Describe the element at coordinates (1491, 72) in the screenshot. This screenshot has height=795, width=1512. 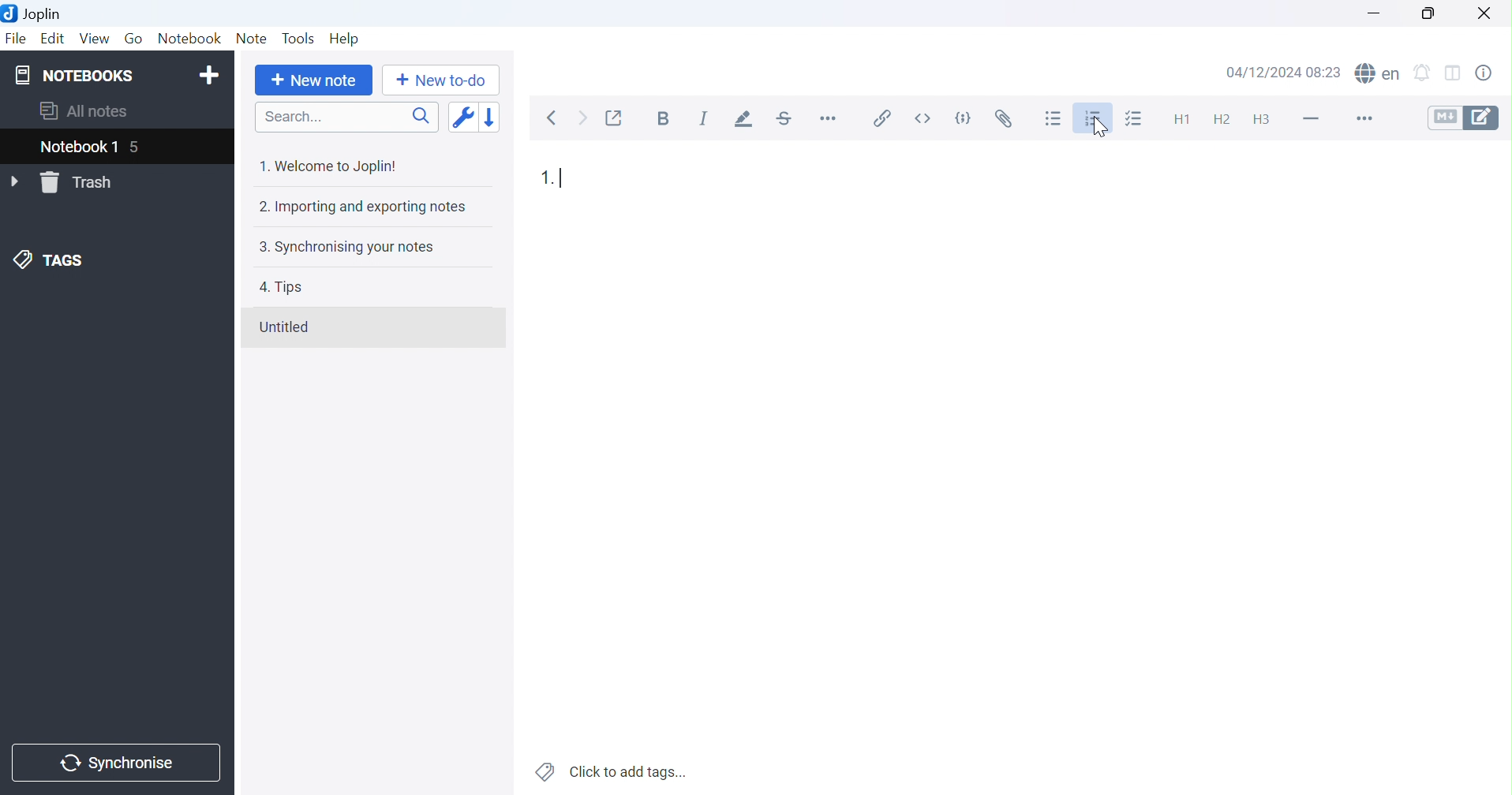
I see `Note properties` at that location.